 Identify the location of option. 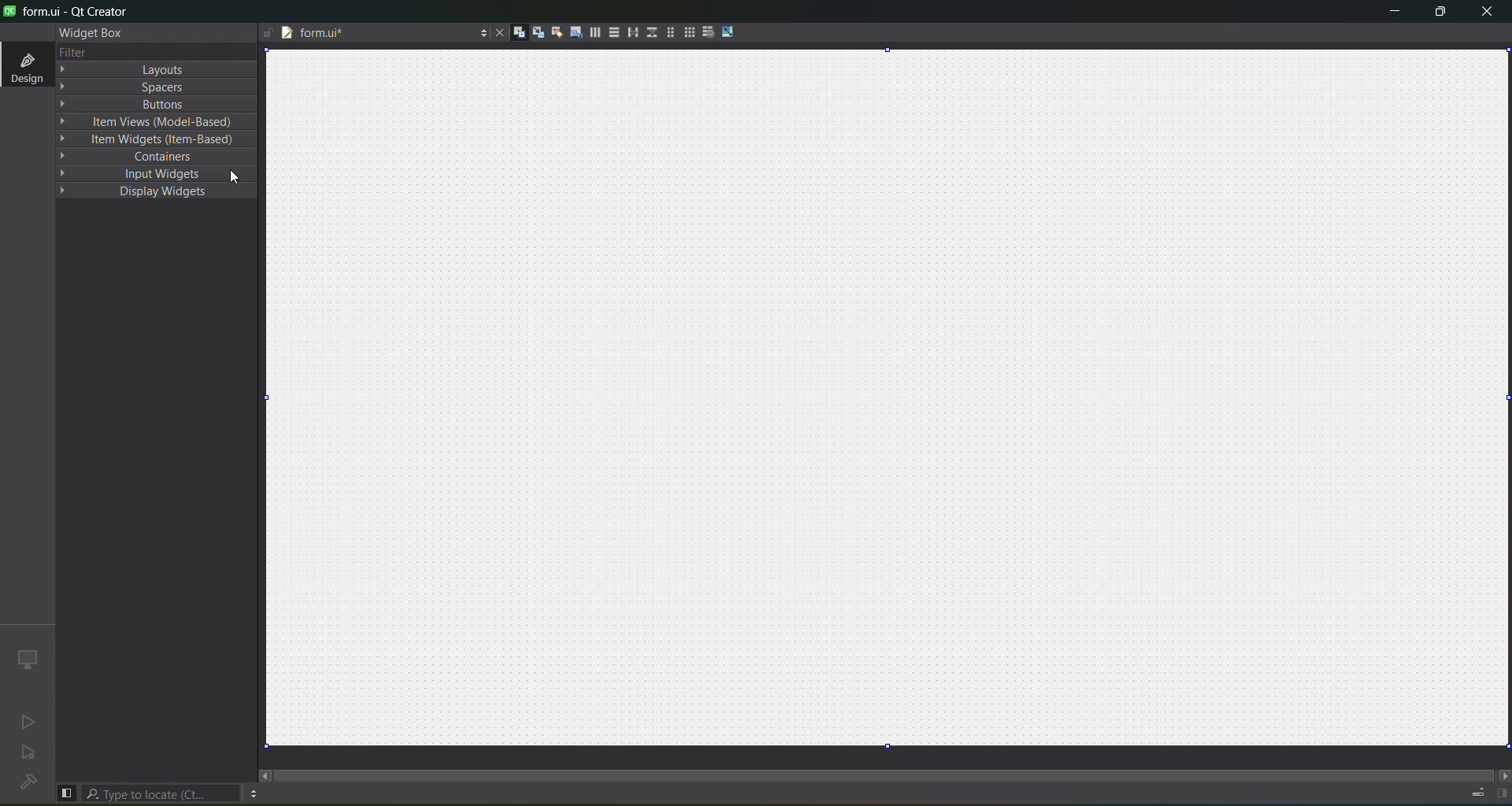
(254, 794).